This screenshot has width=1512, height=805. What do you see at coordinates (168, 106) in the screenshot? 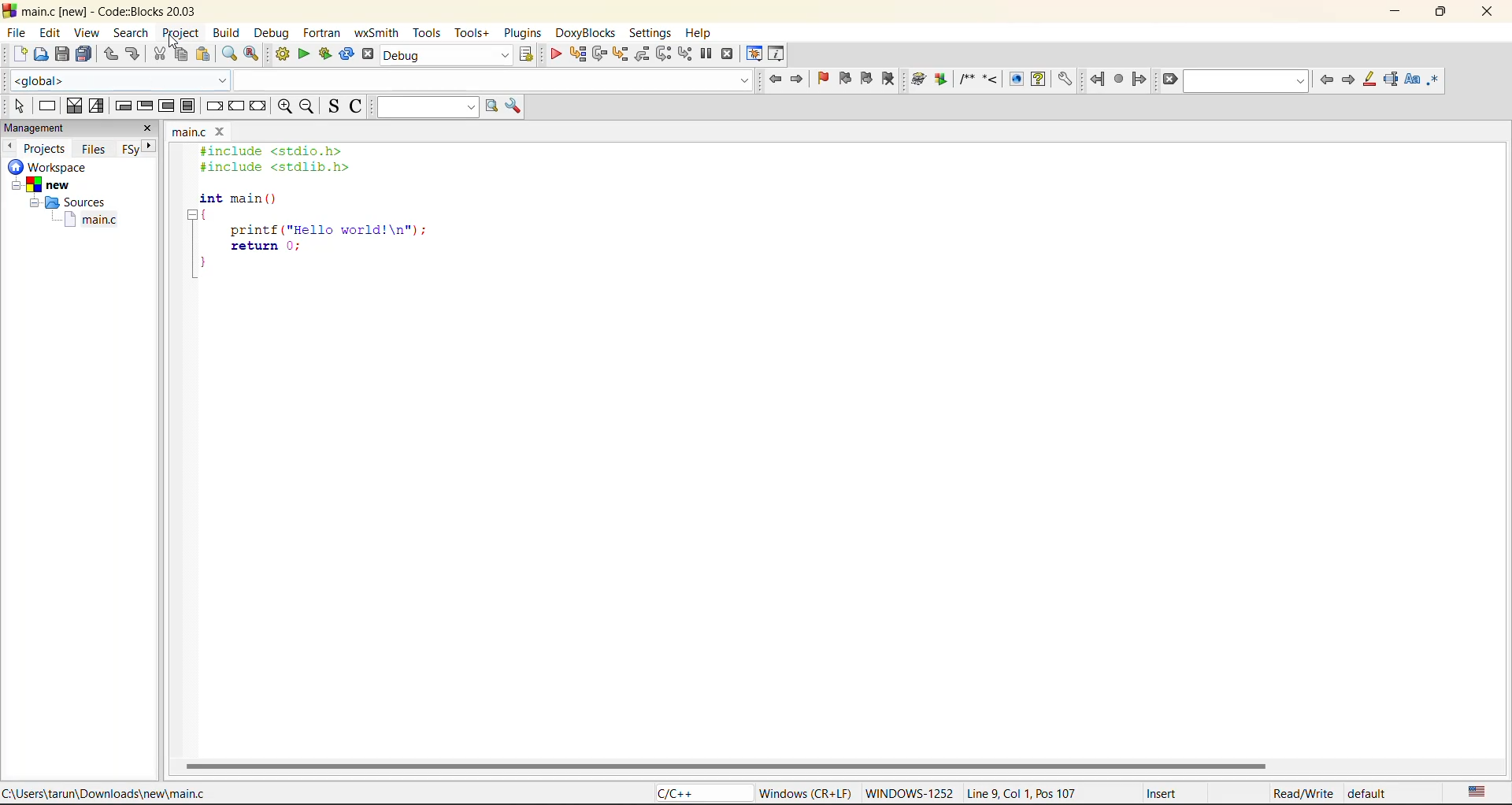
I see `counting loop` at bounding box center [168, 106].